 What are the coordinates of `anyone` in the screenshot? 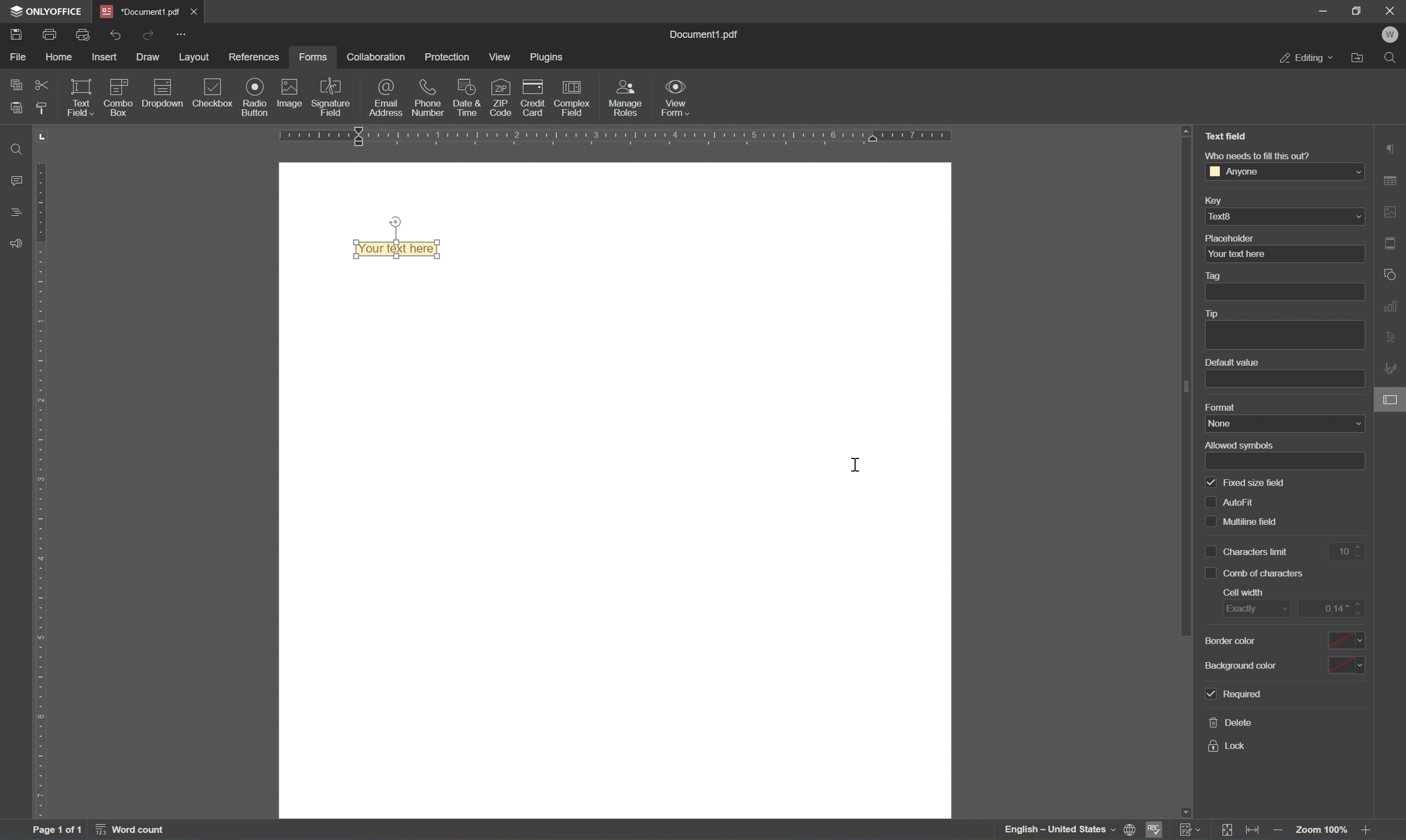 It's located at (1287, 172).